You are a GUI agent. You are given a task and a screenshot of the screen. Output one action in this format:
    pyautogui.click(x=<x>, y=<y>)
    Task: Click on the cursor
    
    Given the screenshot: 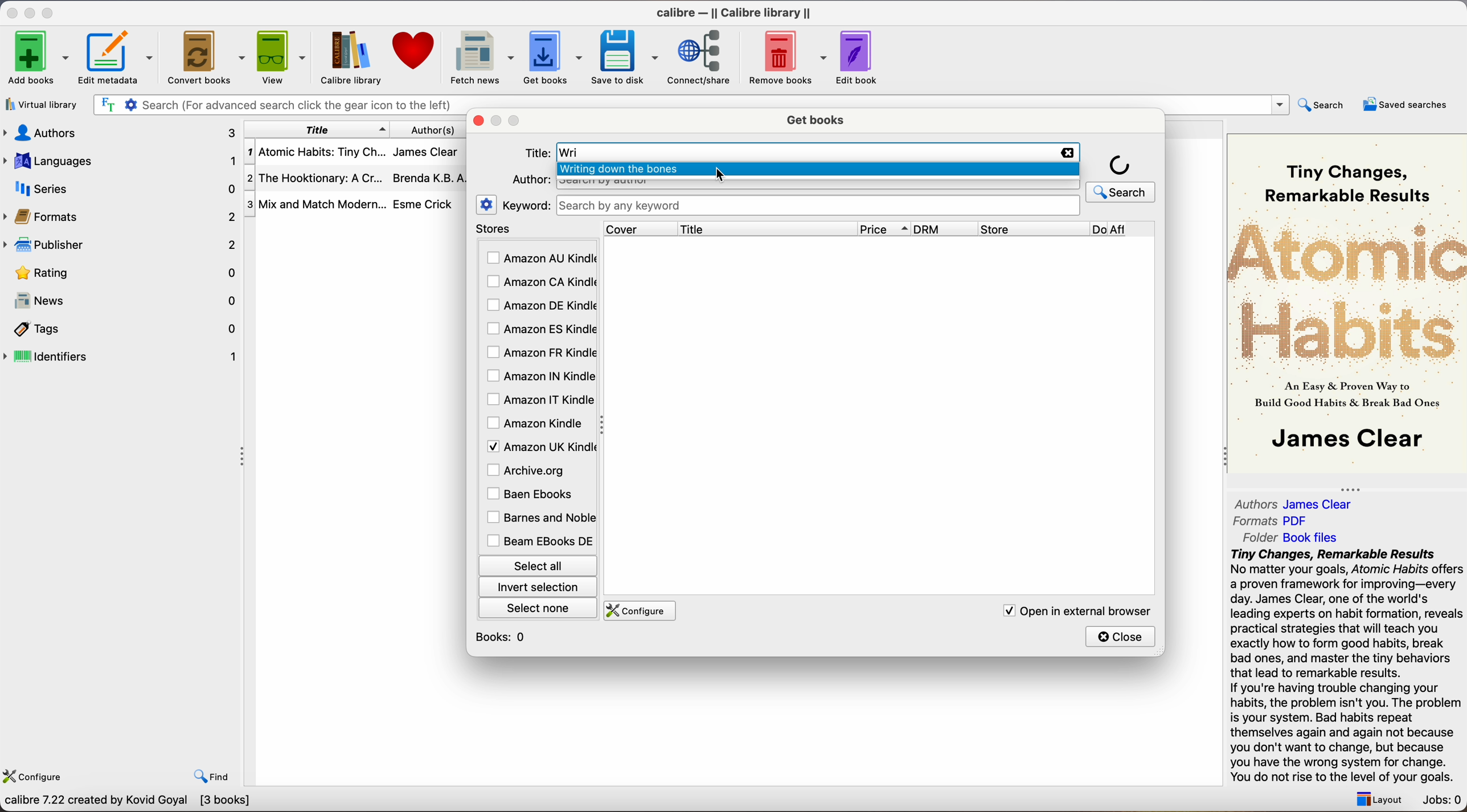 What is the action you would take?
    pyautogui.click(x=719, y=174)
    